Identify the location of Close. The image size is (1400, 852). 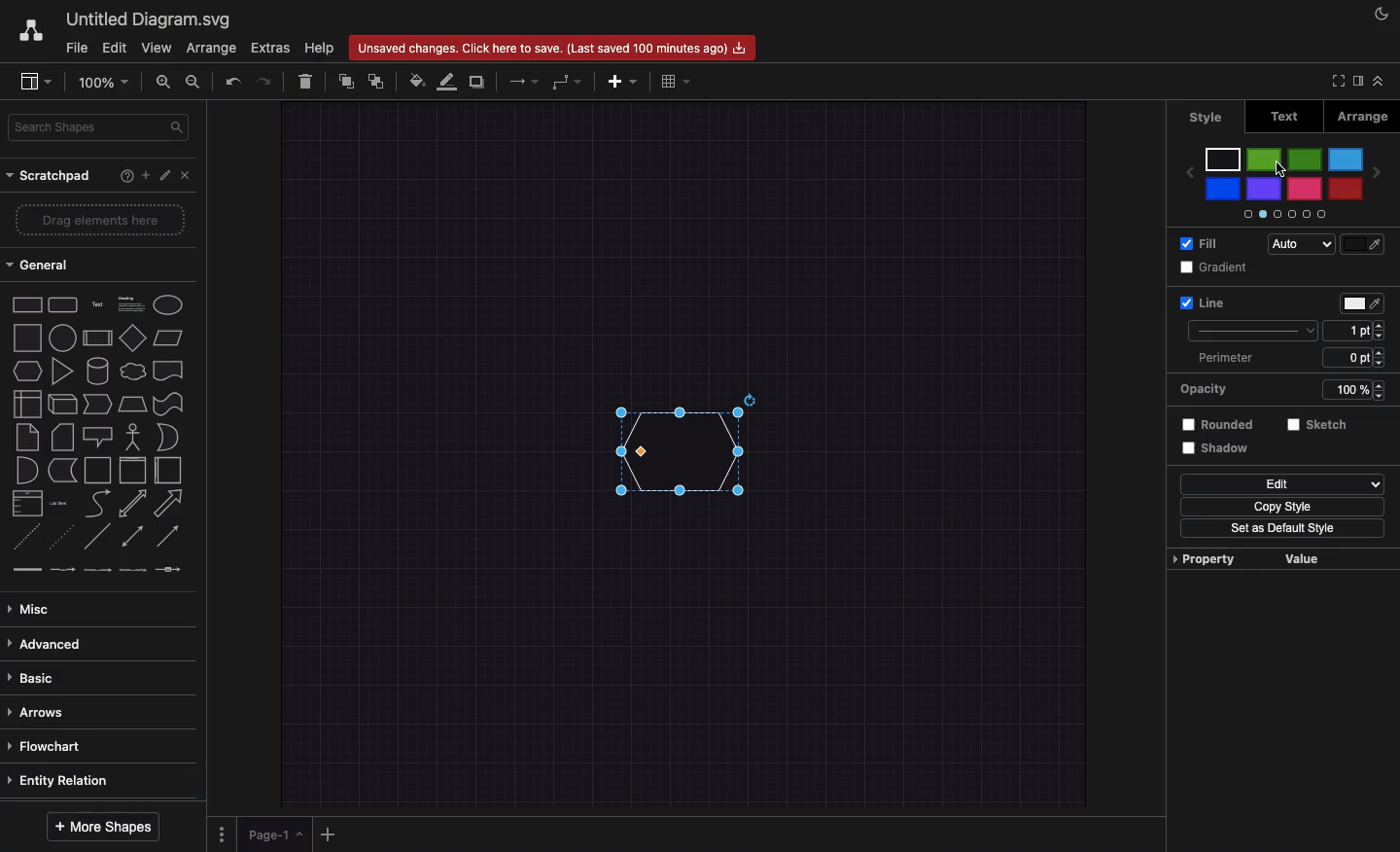
(187, 175).